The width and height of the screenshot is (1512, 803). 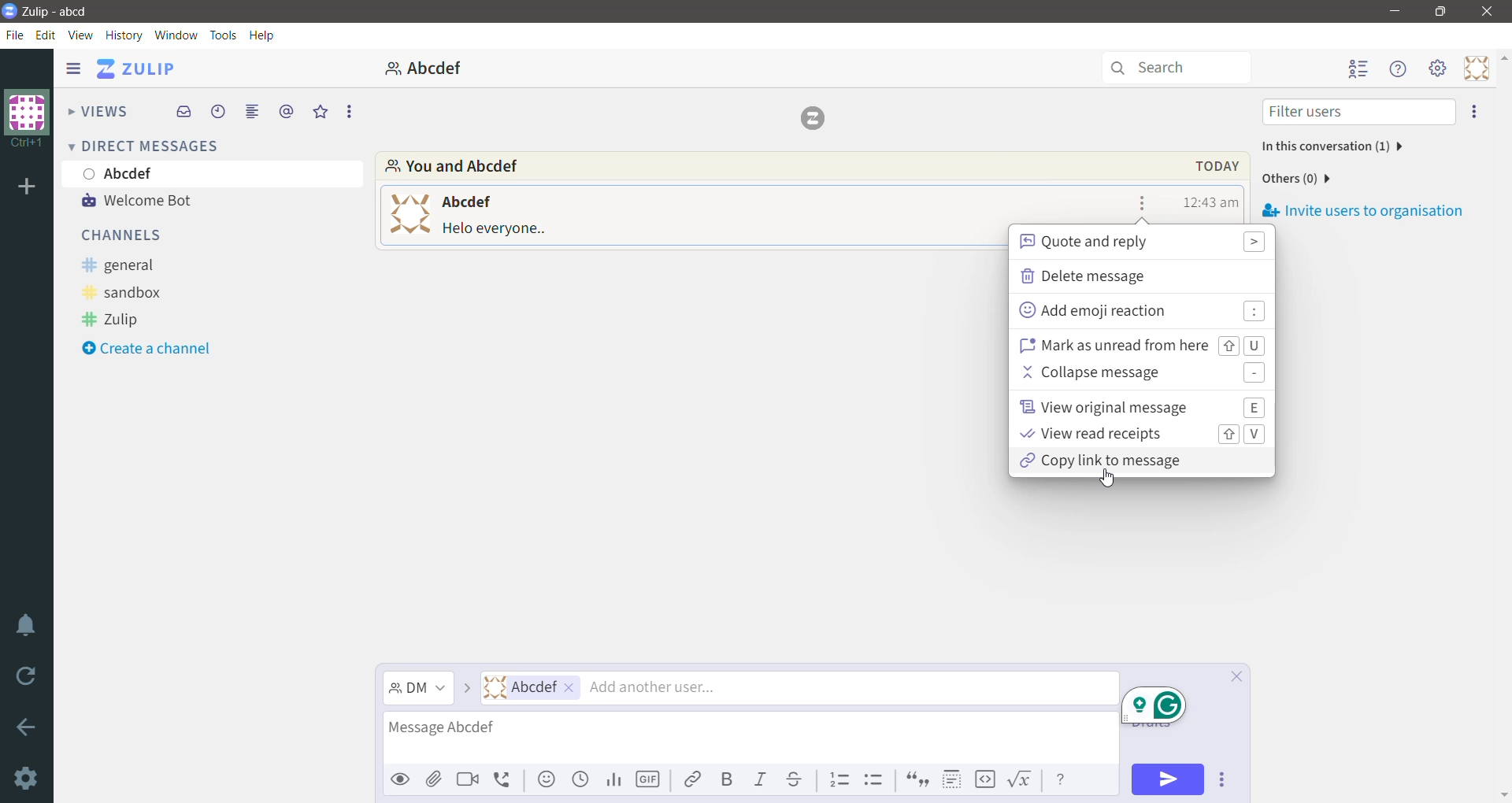 What do you see at coordinates (795, 779) in the screenshot?
I see `Strikethrough` at bounding box center [795, 779].